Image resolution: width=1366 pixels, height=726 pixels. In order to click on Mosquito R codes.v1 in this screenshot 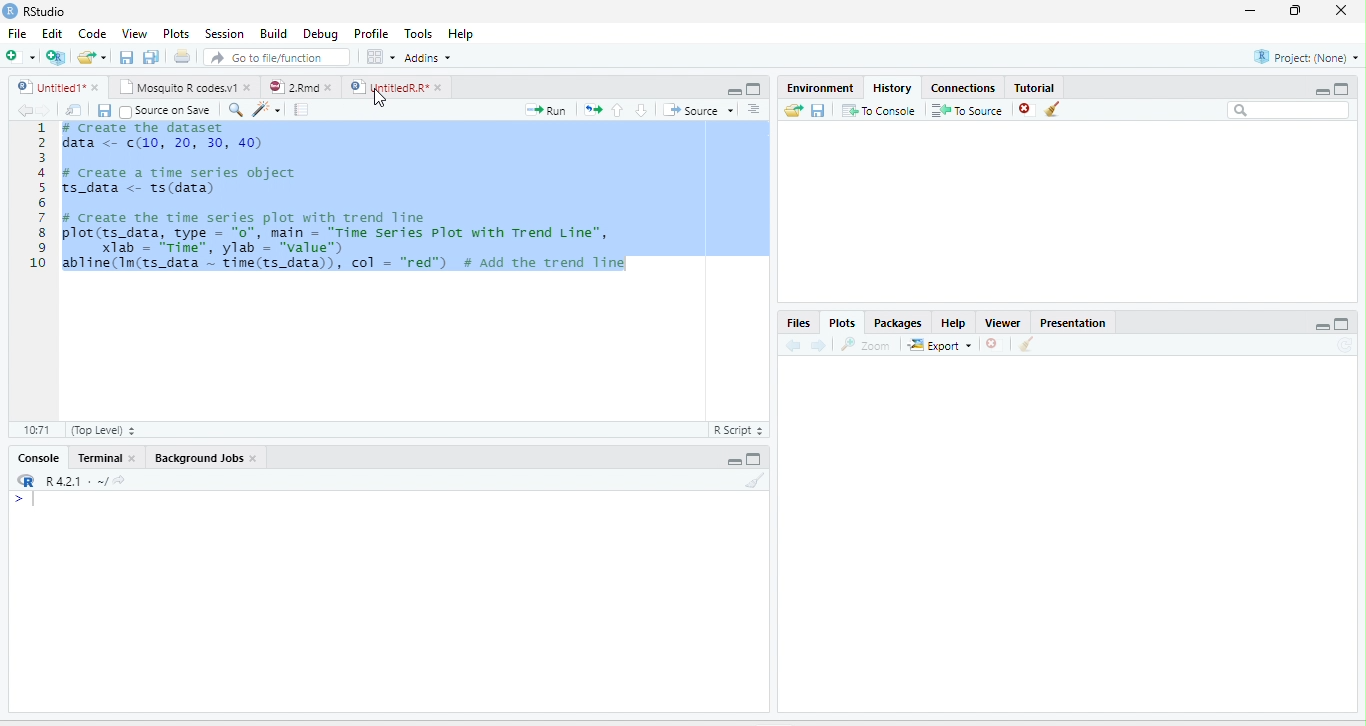, I will do `click(176, 87)`.